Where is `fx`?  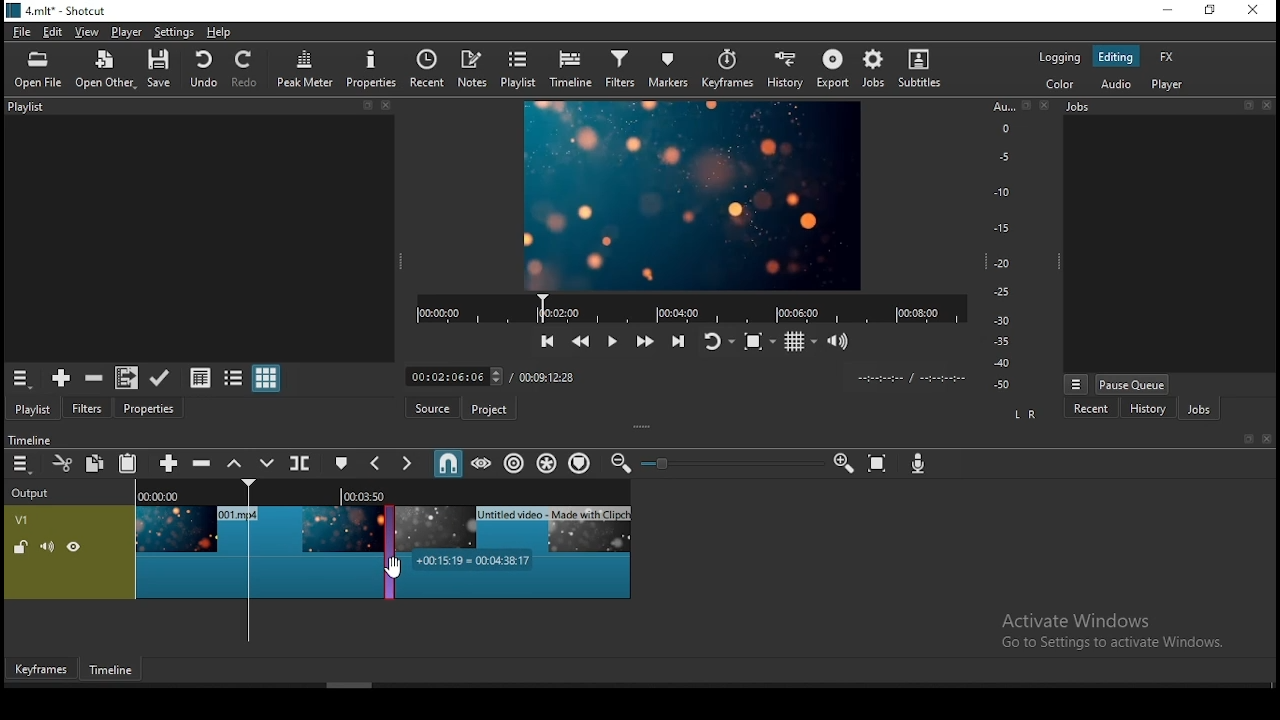
fx is located at coordinates (1167, 57).